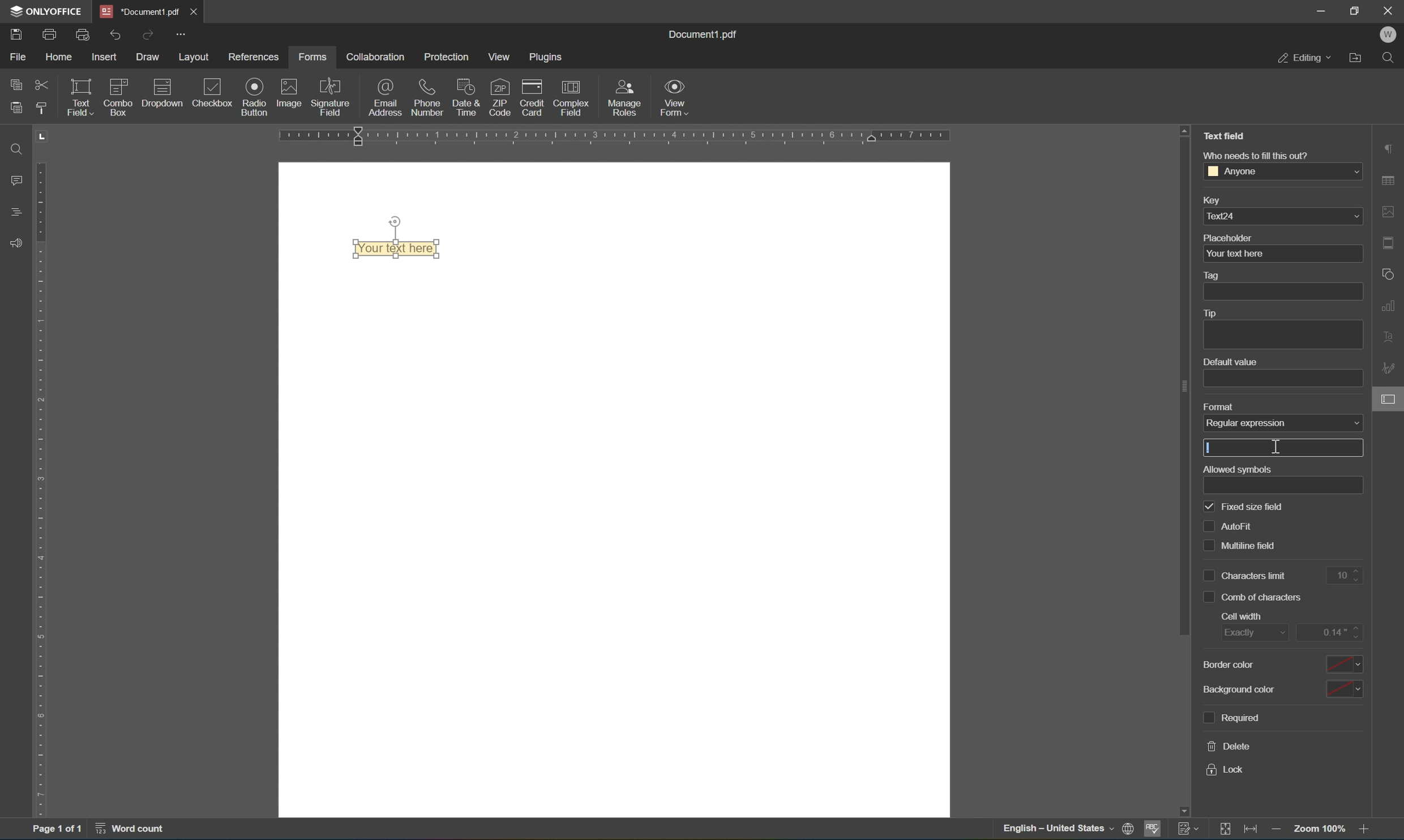 The image size is (1404, 840). What do you see at coordinates (150, 35) in the screenshot?
I see `redo` at bounding box center [150, 35].